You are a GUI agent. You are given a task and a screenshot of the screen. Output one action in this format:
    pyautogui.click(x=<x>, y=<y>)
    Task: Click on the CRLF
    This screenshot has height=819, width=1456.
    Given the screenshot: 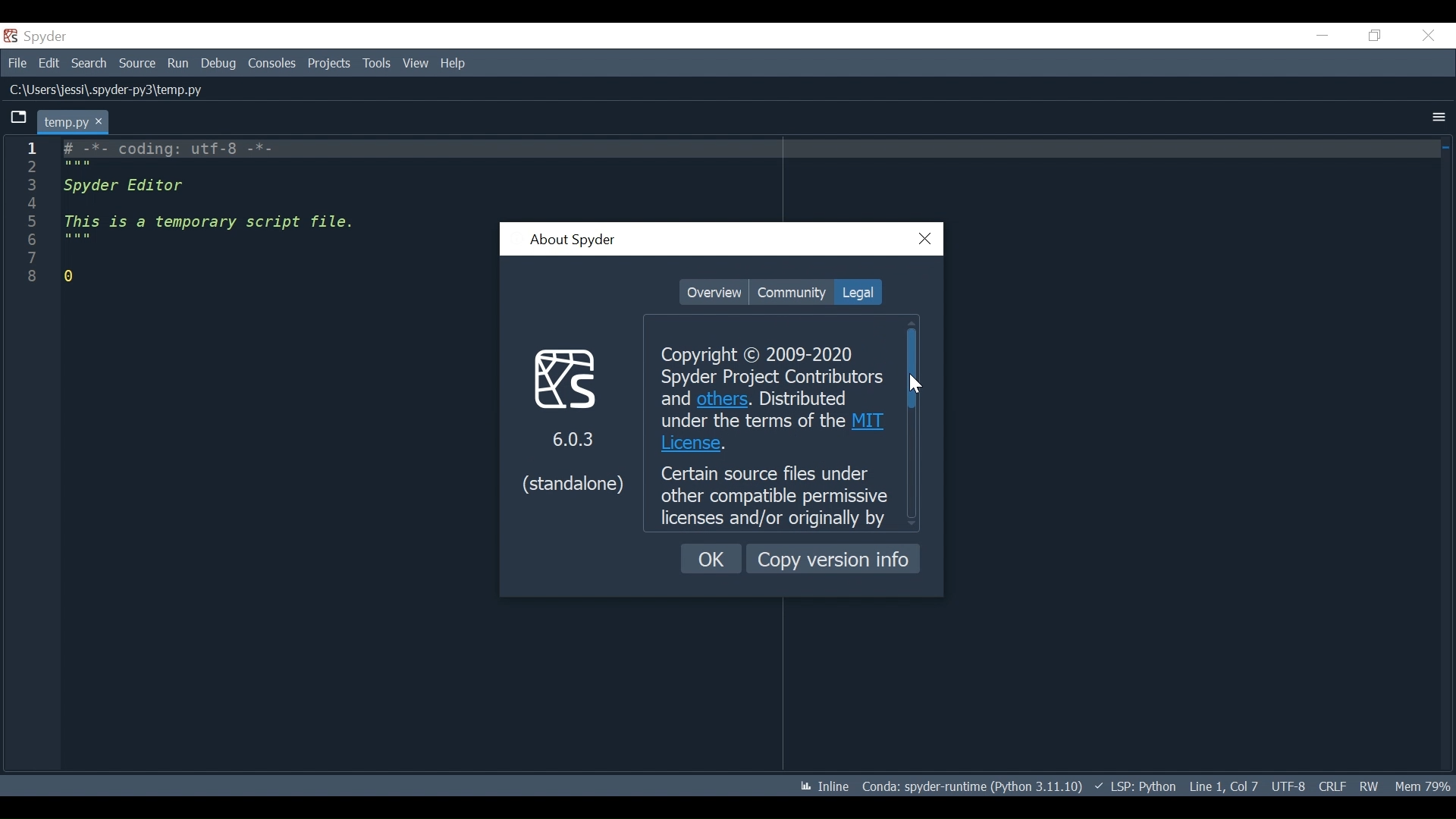 What is the action you would take?
    pyautogui.click(x=1332, y=786)
    